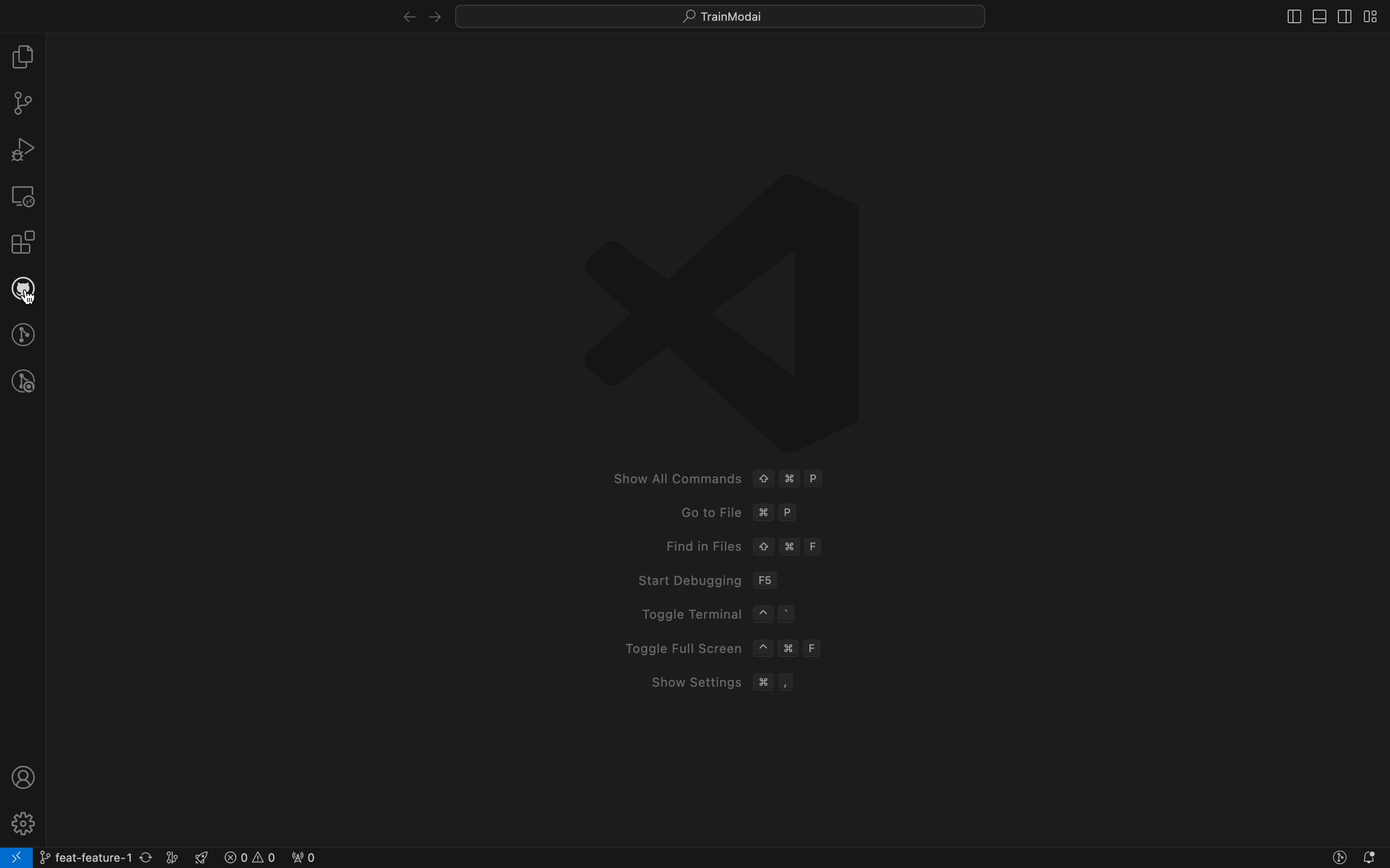 The image size is (1390, 868). Describe the element at coordinates (1372, 858) in the screenshot. I see `notificatons` at that location.